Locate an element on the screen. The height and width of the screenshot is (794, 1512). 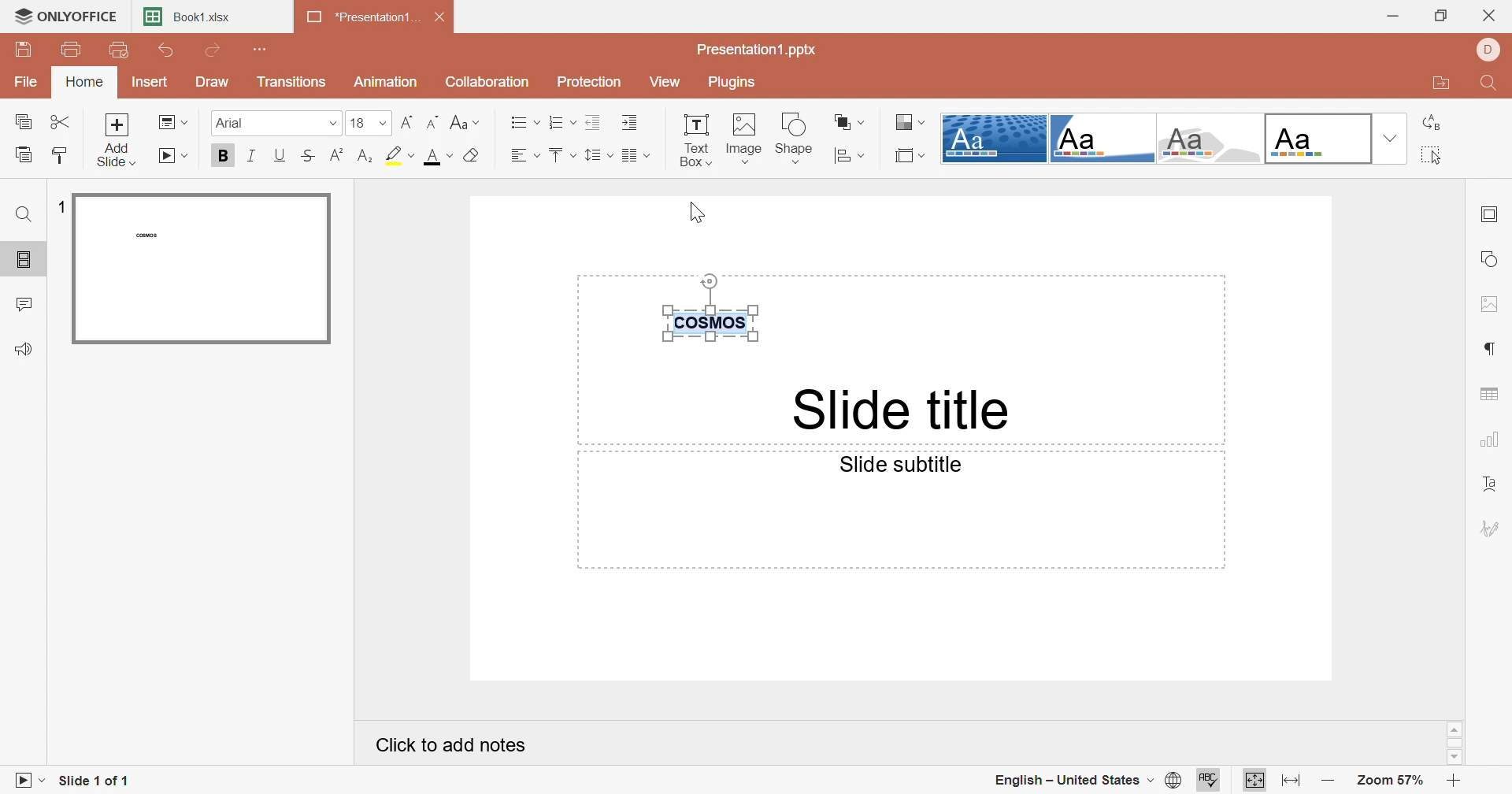
DELL is located at coordinates (1487, 53).